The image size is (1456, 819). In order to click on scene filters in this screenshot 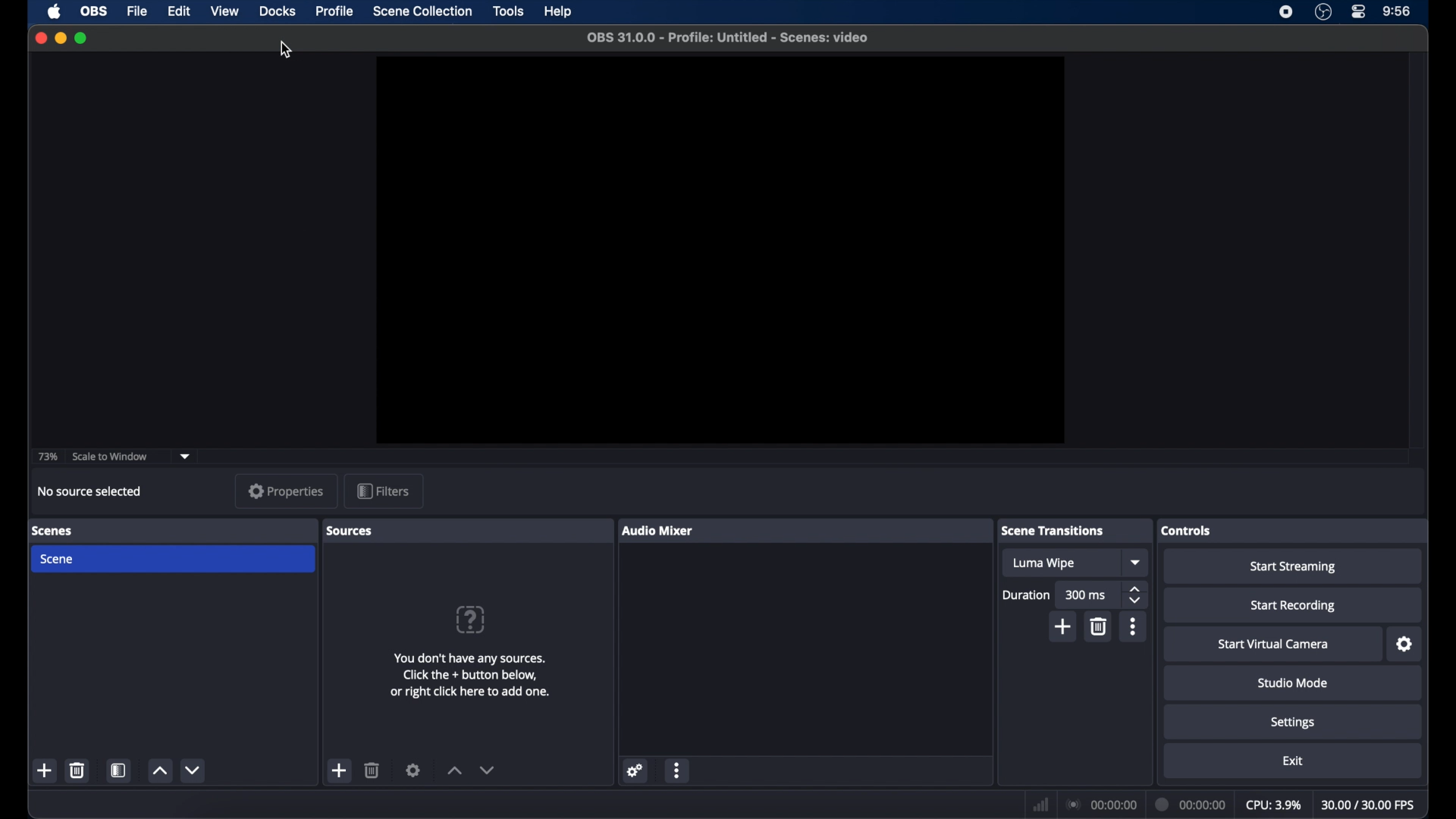, I will do `click(119, 770)`.